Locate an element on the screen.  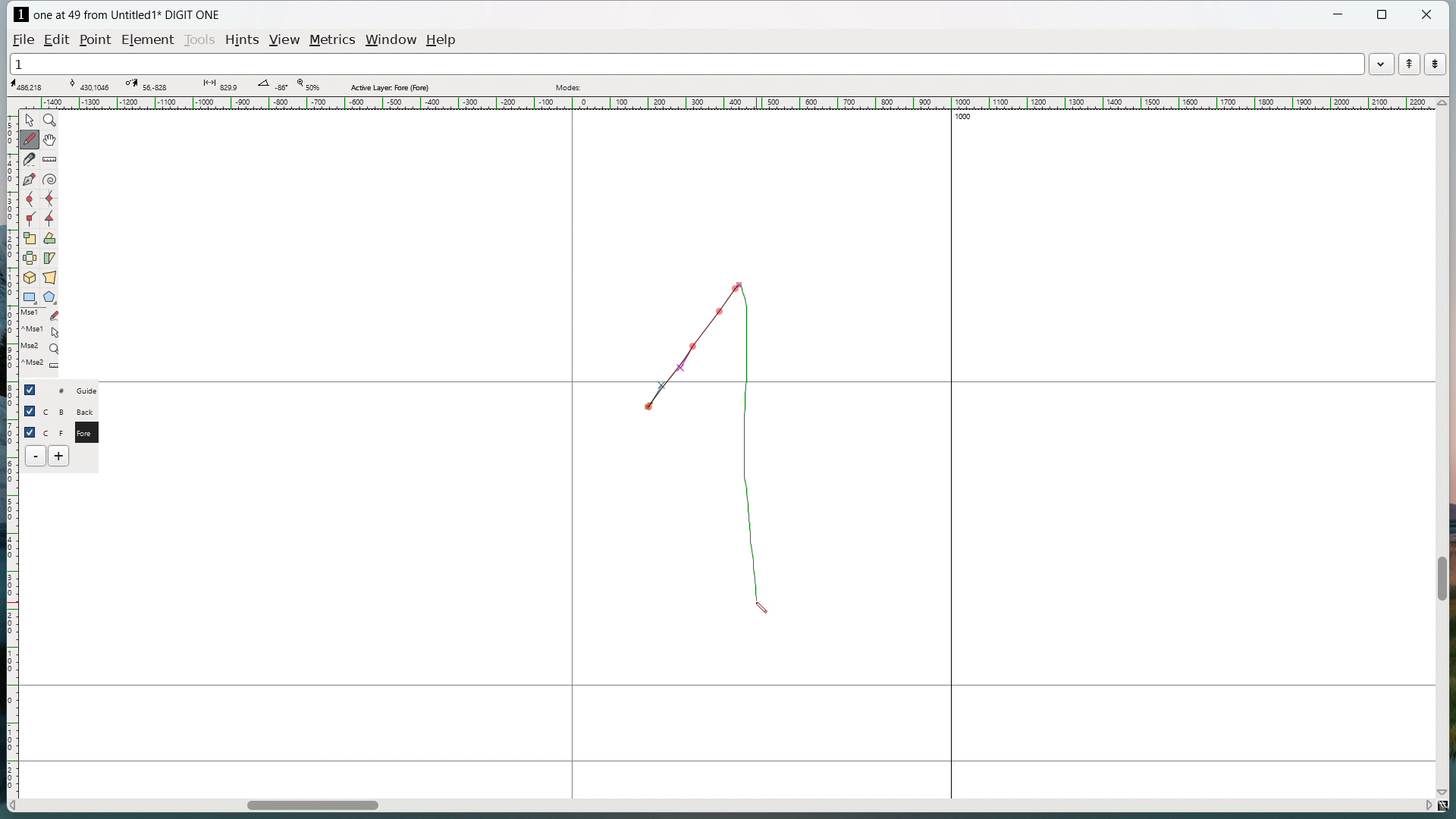
add a curve point is located at coordinates (30, 199).